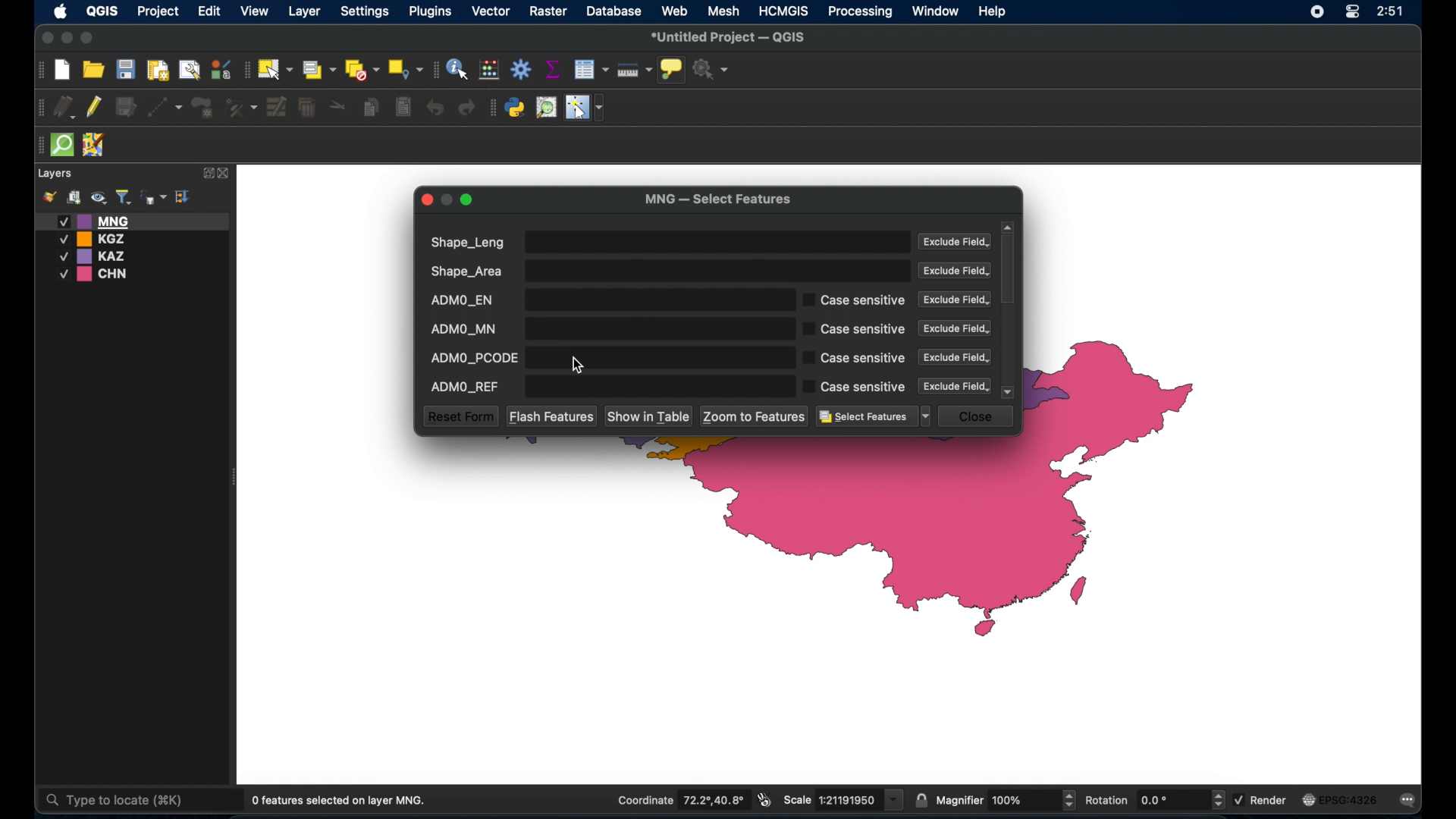 Image resolution: width=1456 pixels, height=819 pixels. What do you see at coordinates (256, 11) in the screenshot?
I see `view` at bounding box center [256, 11].